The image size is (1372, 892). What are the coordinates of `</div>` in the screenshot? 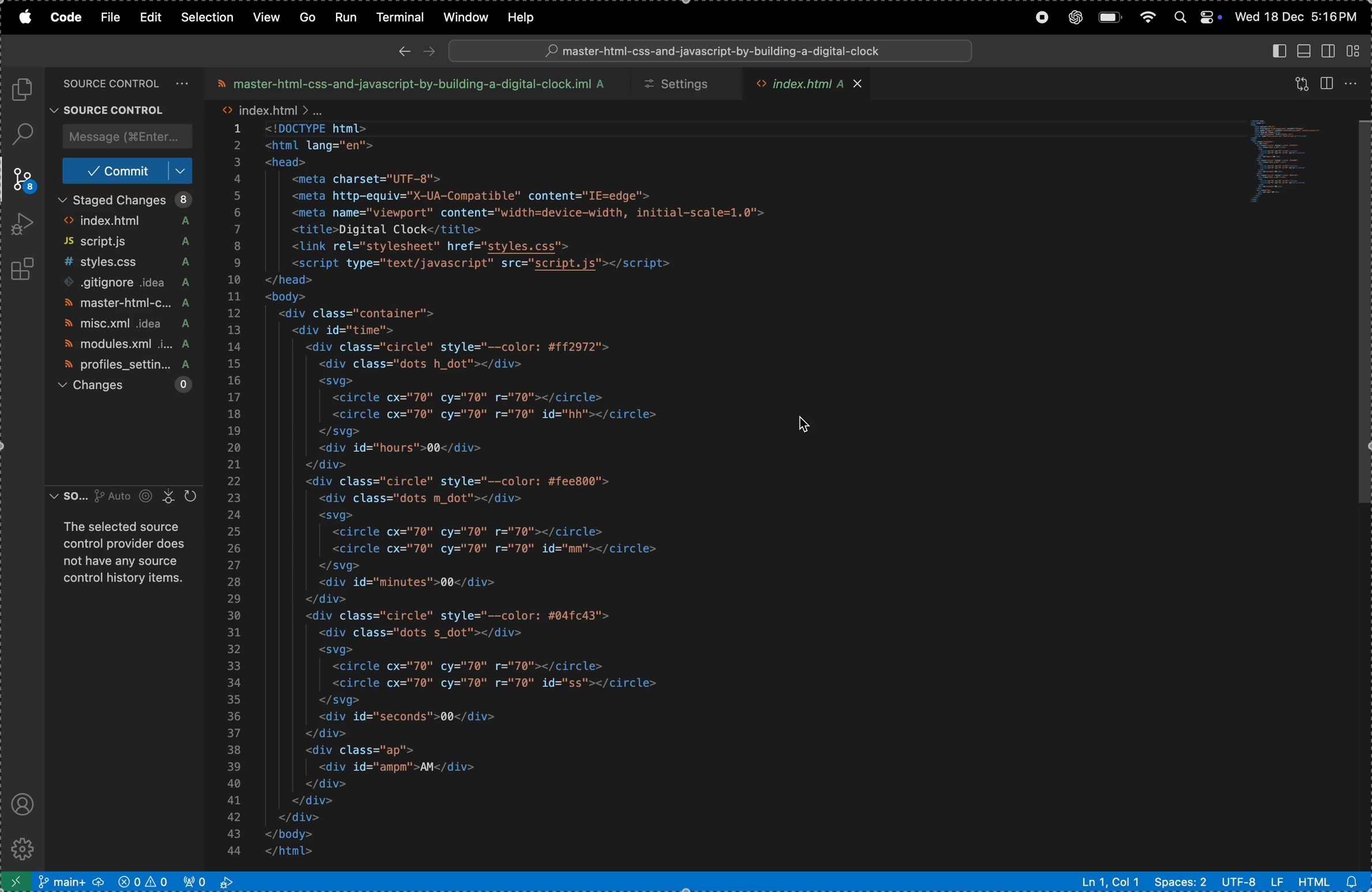 It's located at (329, 599).